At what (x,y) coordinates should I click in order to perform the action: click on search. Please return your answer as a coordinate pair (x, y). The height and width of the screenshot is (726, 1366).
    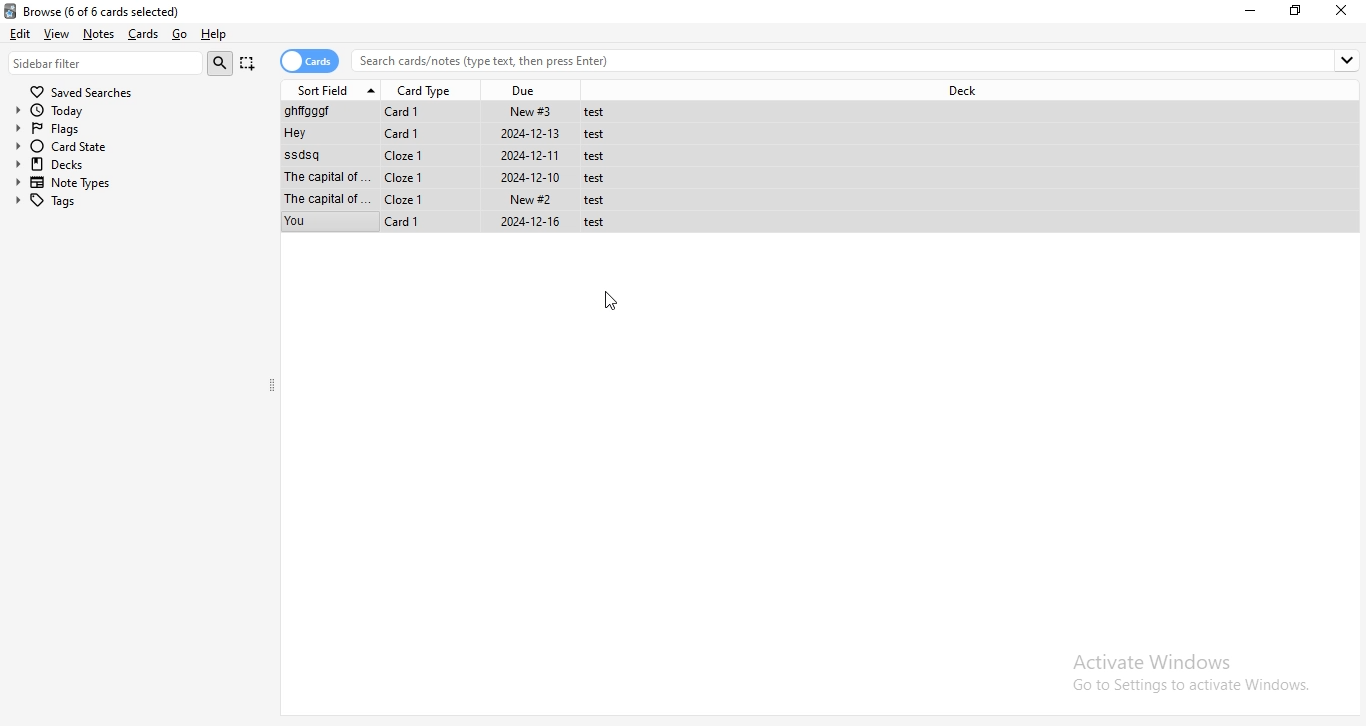
    Looking at the image, I should click on (220, 63).